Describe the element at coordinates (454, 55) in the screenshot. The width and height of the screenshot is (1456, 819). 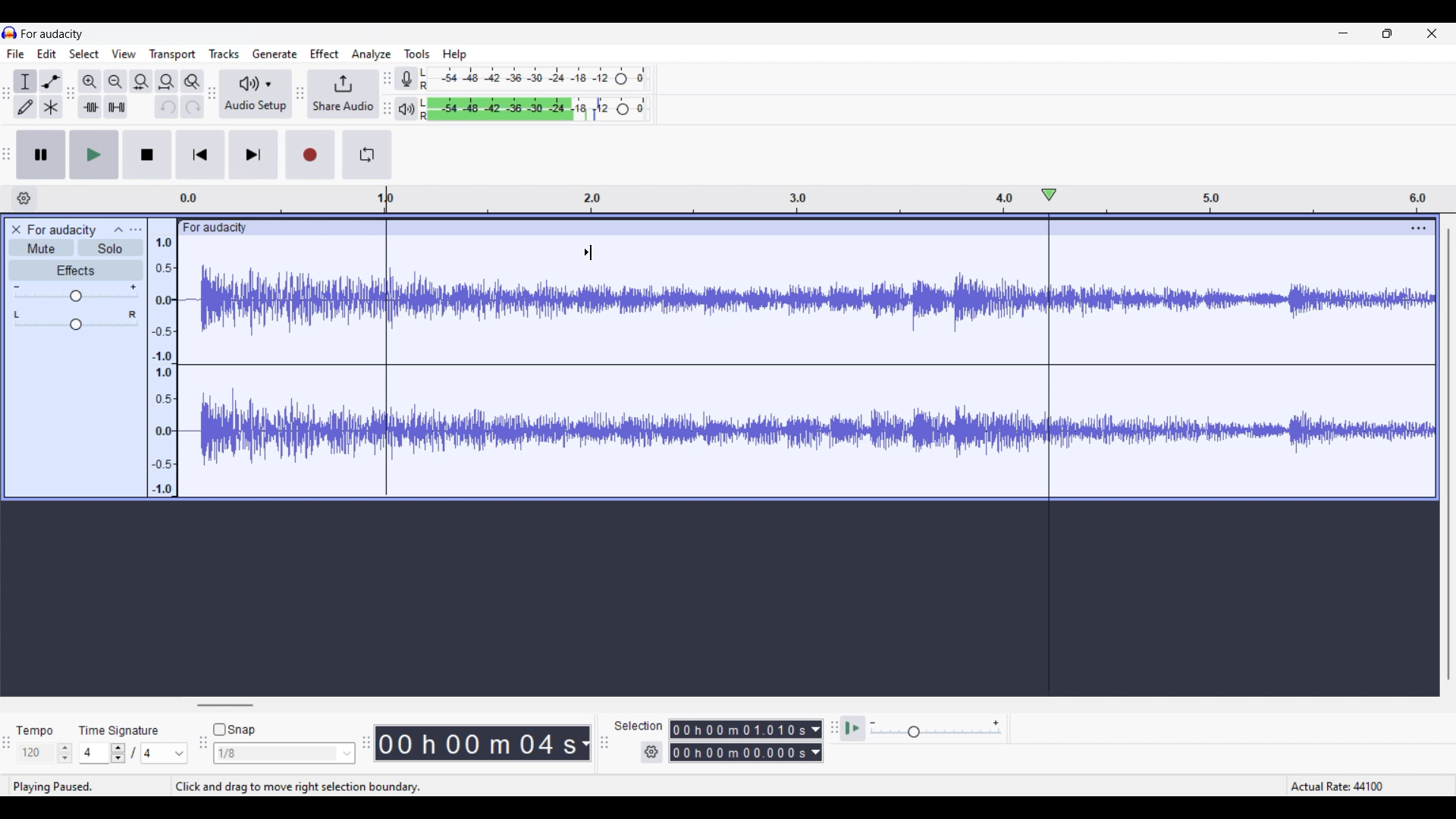
I see `Help menu` at that location.